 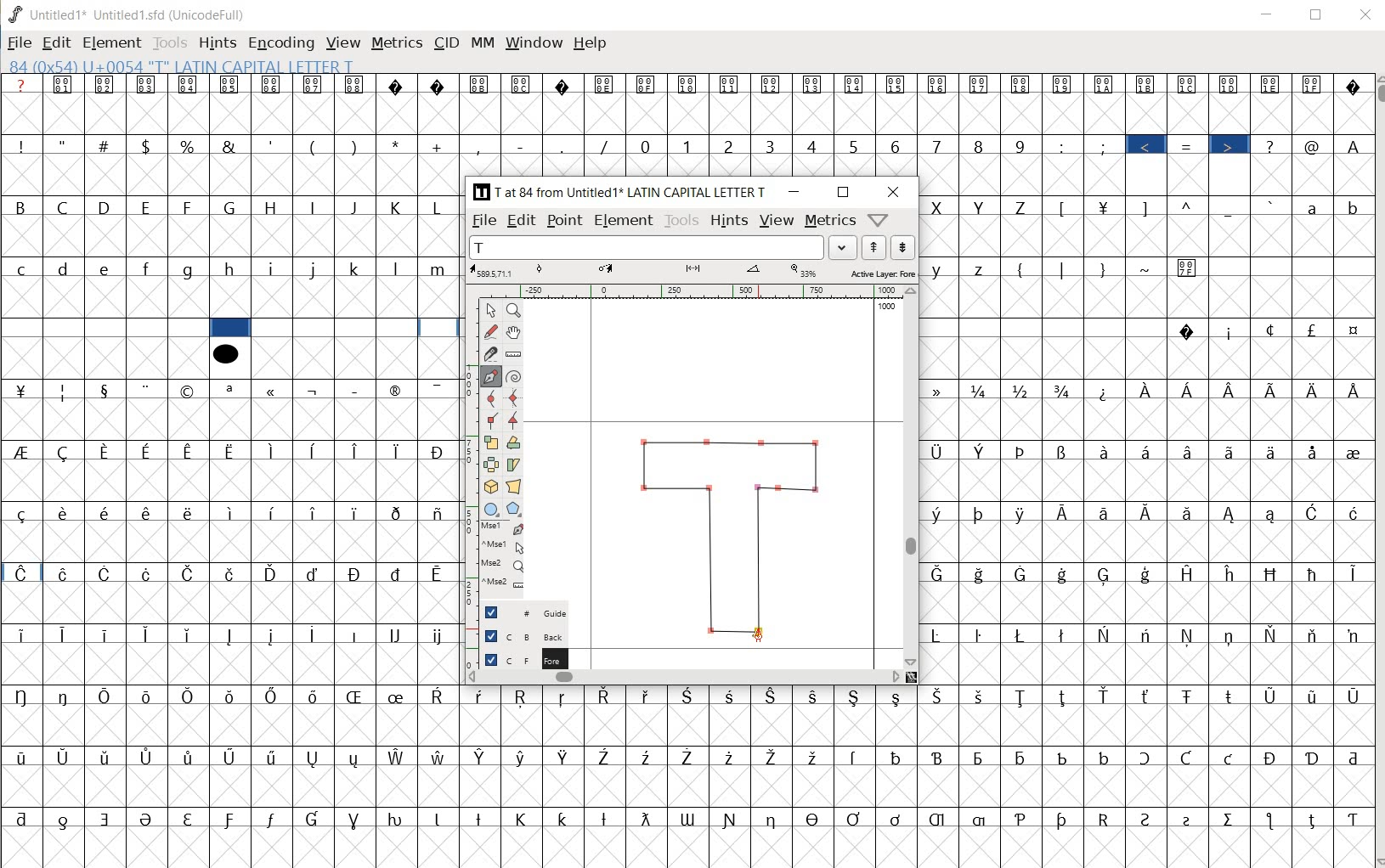 I want to click on >, so click(x=1230, y=146).